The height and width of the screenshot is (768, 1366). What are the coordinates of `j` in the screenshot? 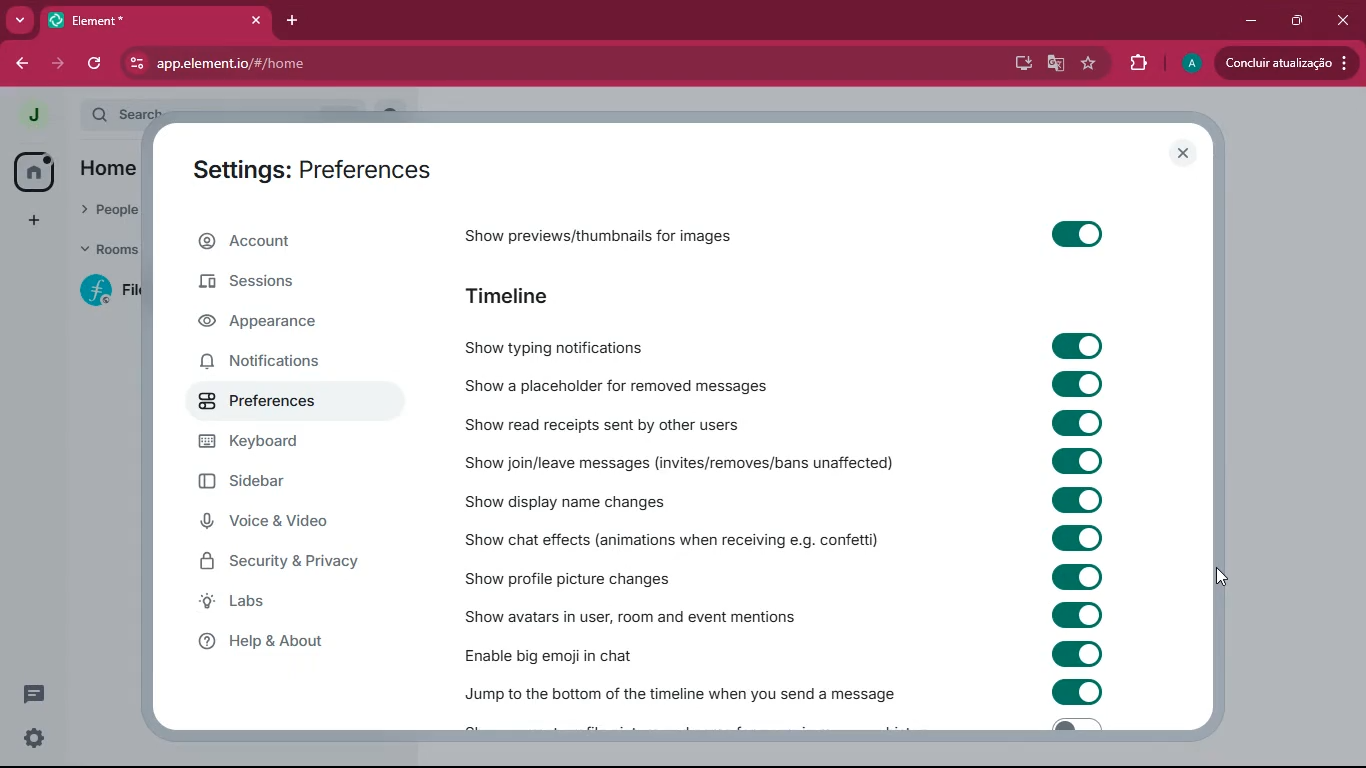 It's located at (30, 117).